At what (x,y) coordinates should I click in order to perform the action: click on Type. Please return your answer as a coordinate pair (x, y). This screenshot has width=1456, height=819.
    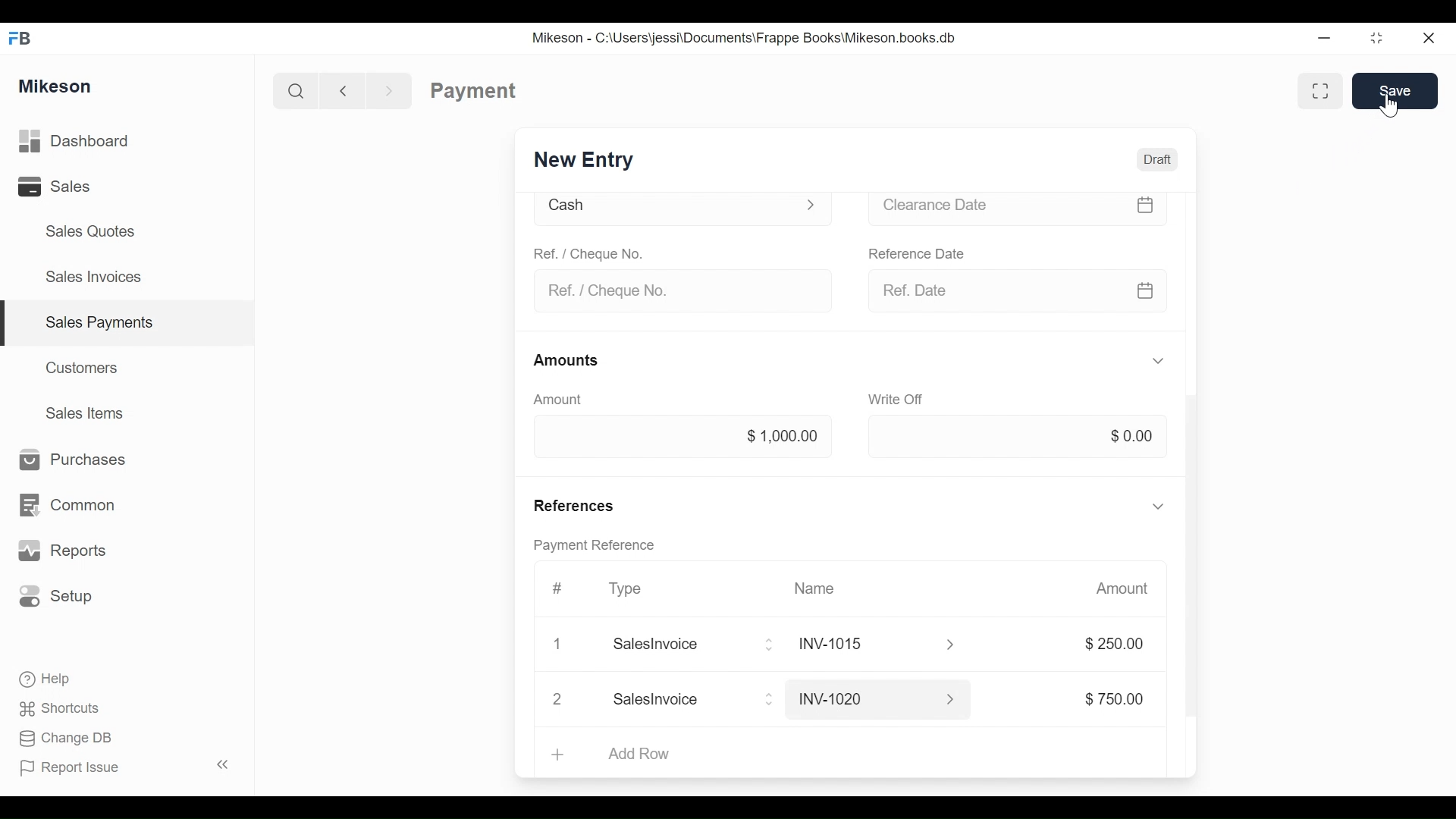
    Looking at the image, I should click on (626, 588).